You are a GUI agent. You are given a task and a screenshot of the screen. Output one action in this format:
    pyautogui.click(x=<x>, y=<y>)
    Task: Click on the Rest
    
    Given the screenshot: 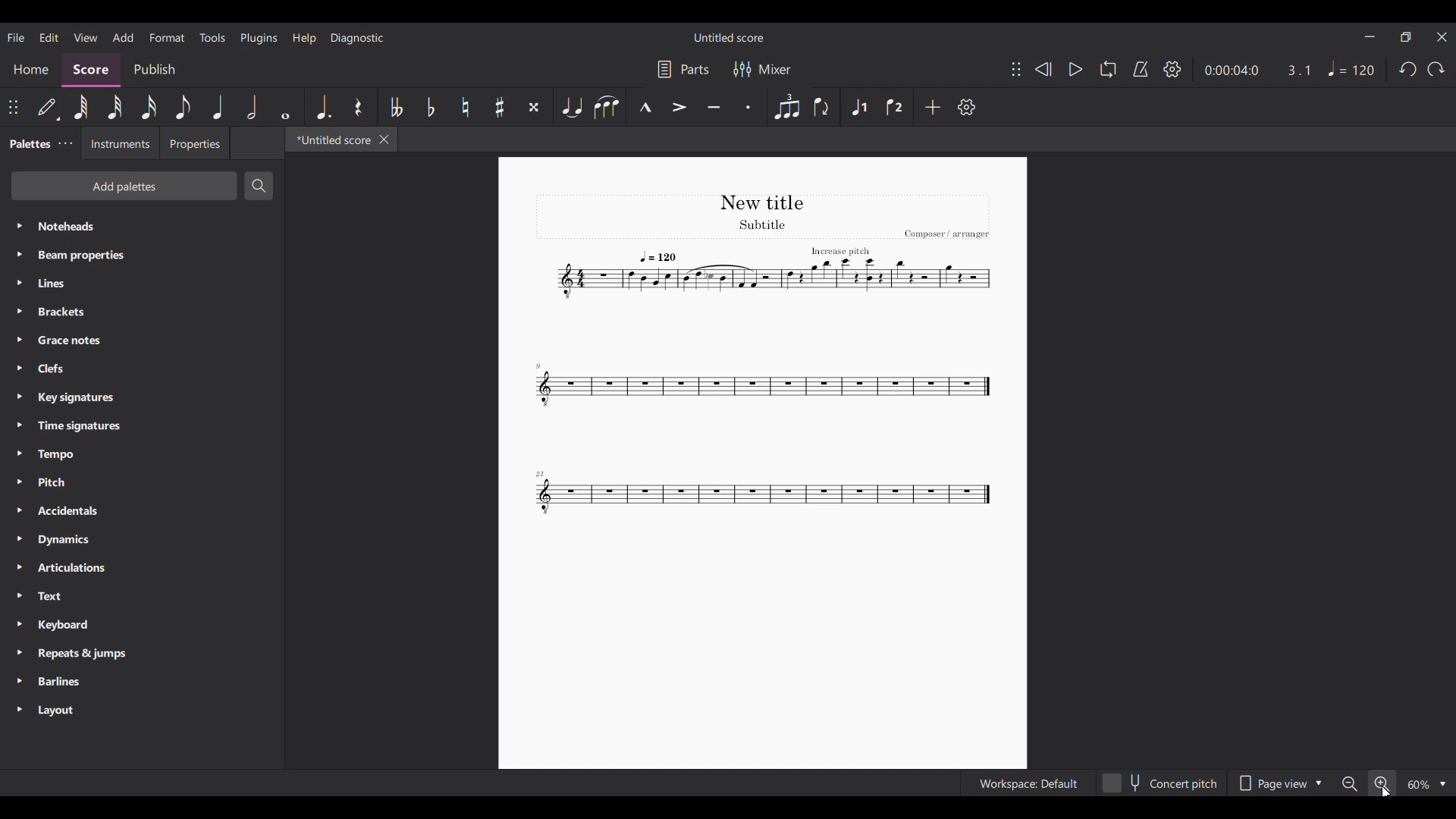 What is the action you would take?
    pyautogui.click(x=358, y=107)
    